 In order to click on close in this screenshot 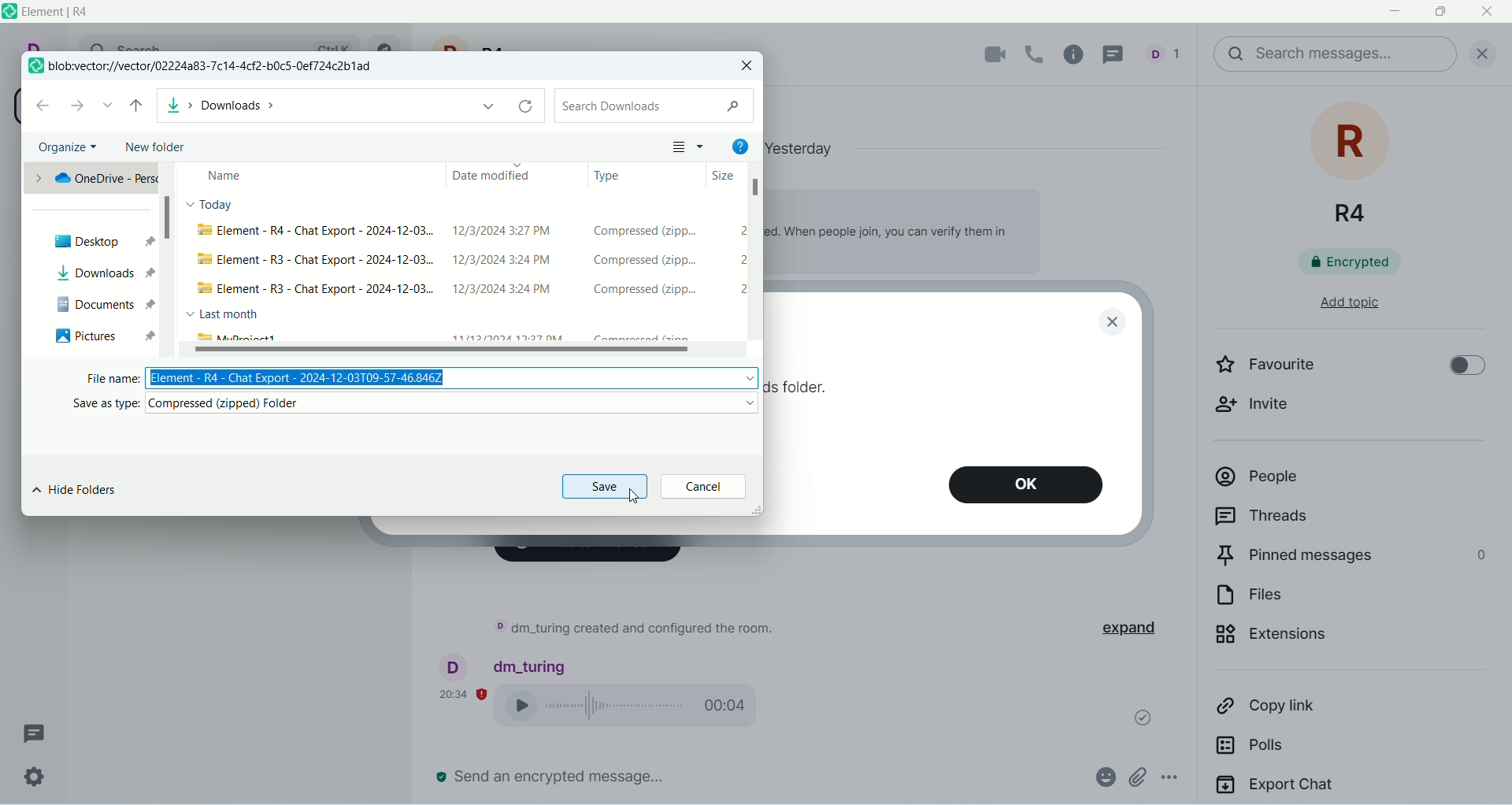, I will do `click(1113, 321)`.